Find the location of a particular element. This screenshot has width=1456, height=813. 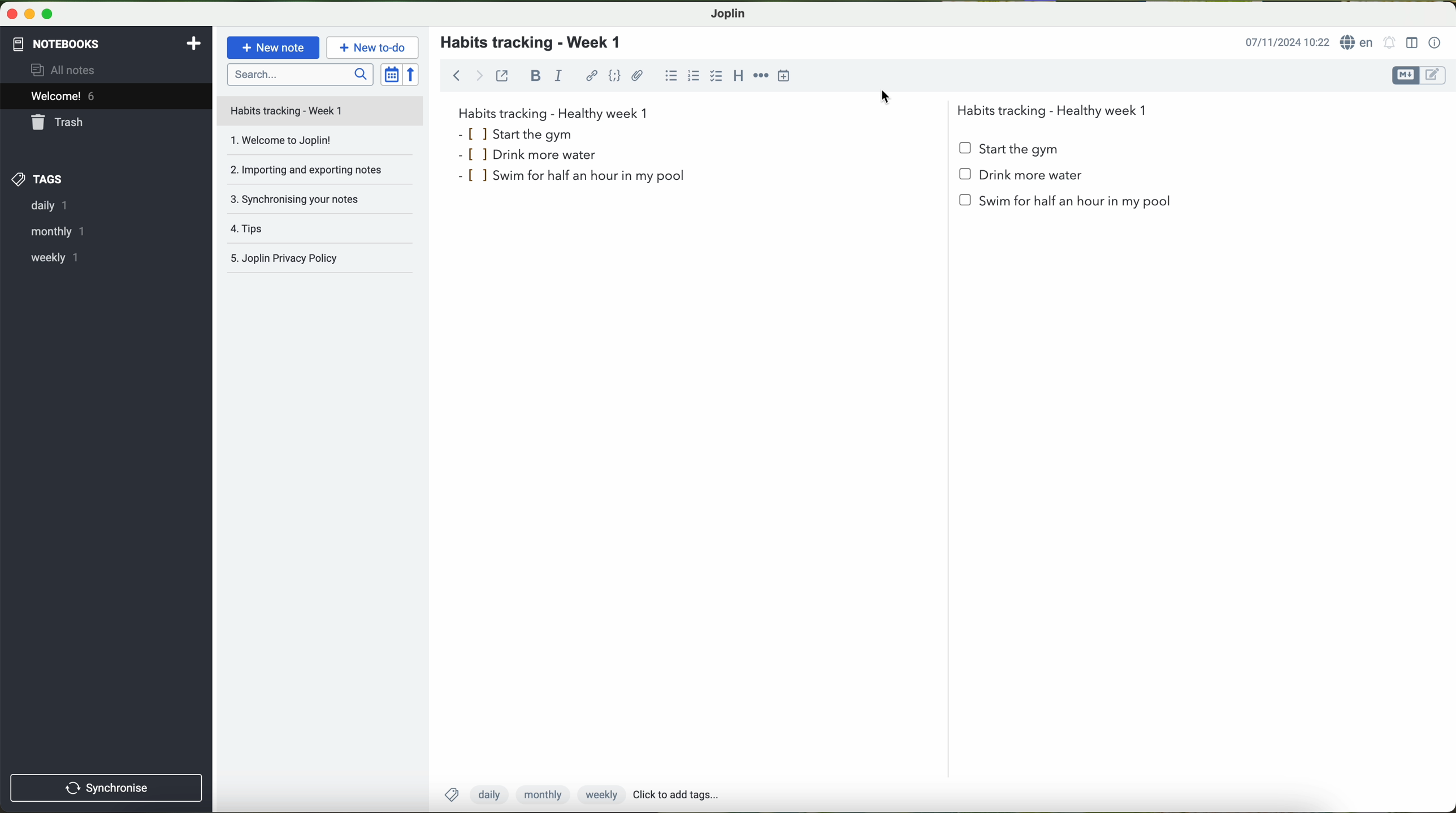

monthly is located at coordinates (540, 795).